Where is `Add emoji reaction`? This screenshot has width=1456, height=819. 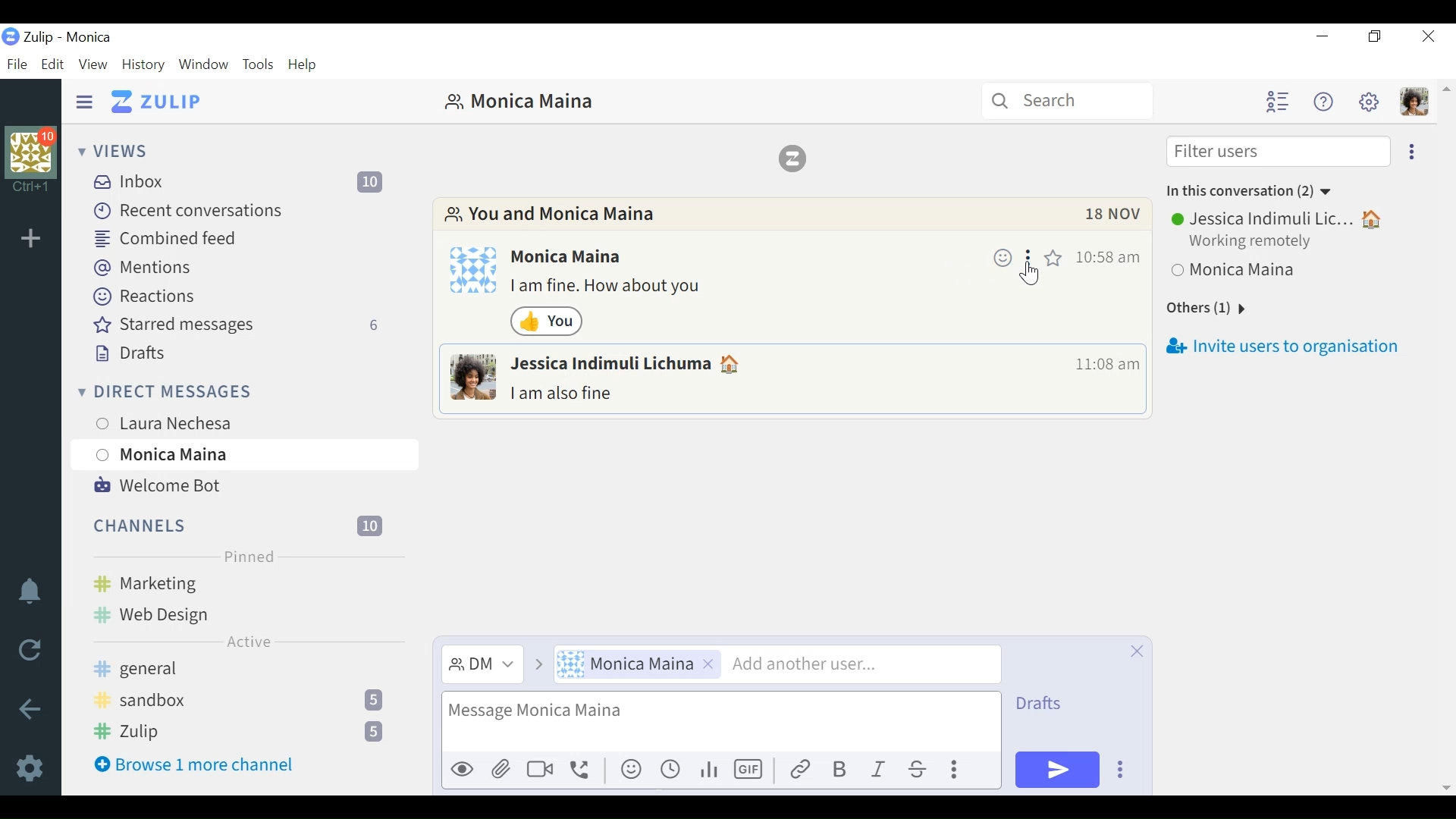 Add emoji reaction is located at coordinates (1002, 256).